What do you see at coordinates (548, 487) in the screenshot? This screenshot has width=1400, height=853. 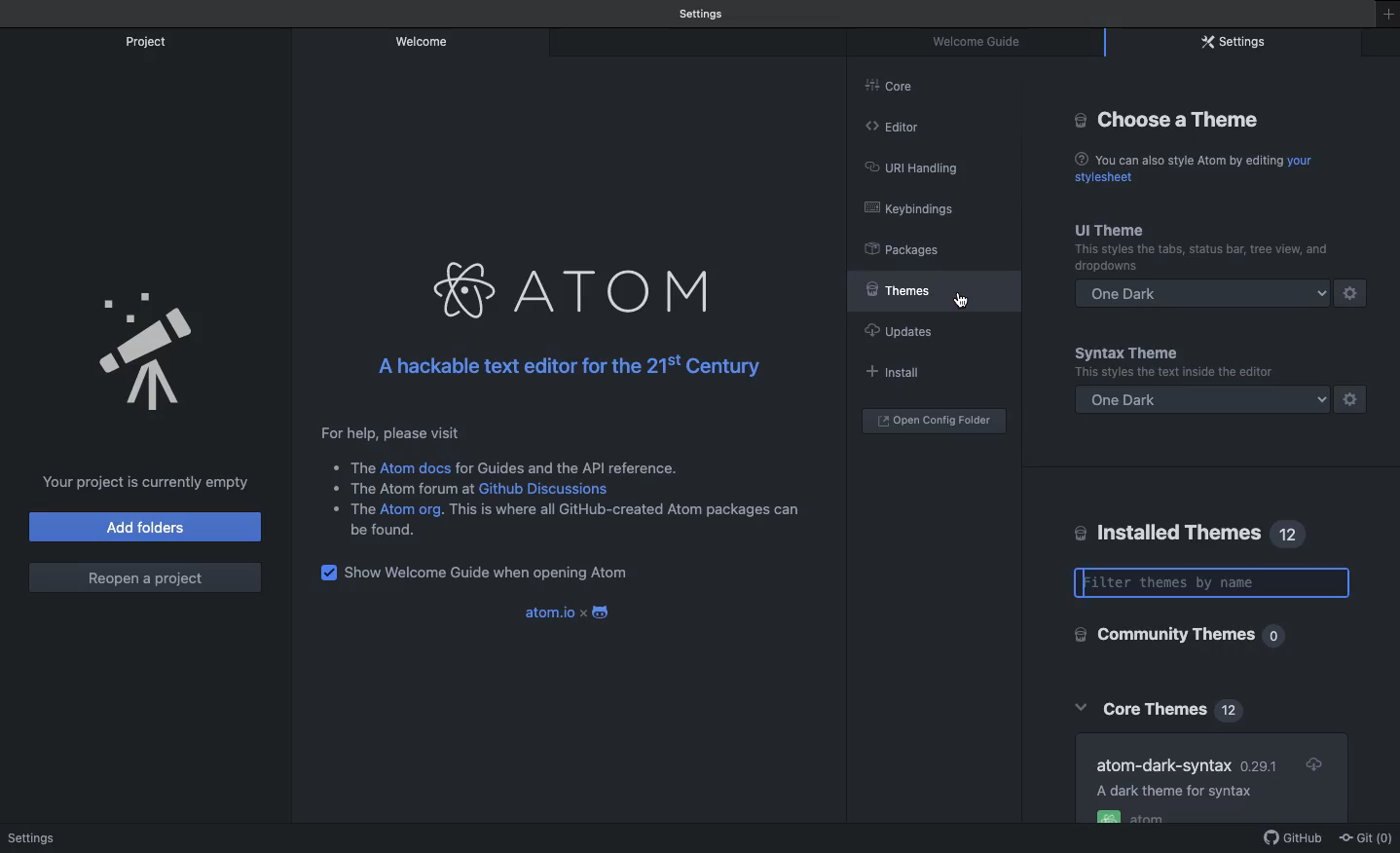 I see ` Github Discussions` at bounding box center [548, 487].